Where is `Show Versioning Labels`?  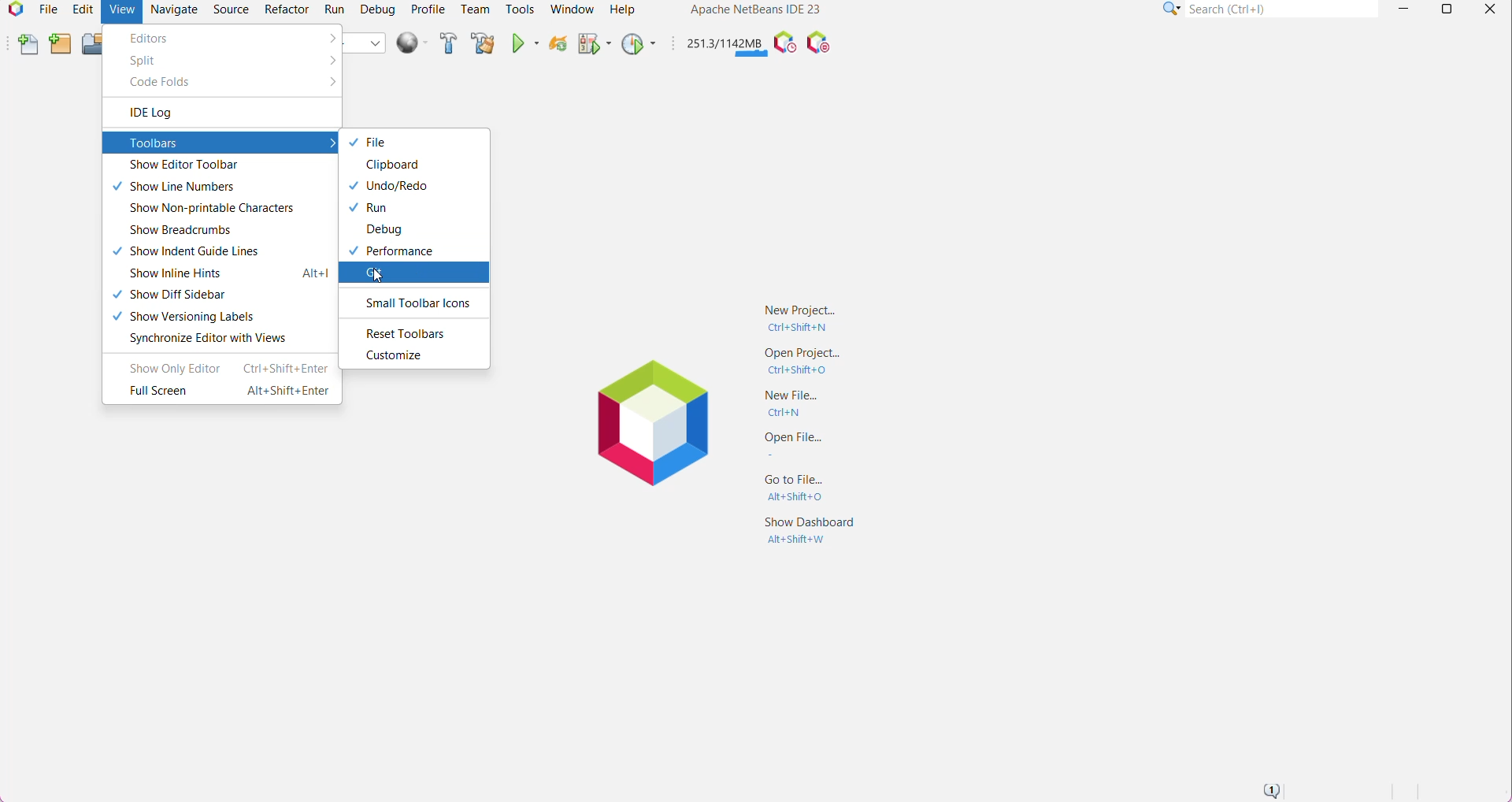 Show Versioning Labels is located at coordinates (194, 316).